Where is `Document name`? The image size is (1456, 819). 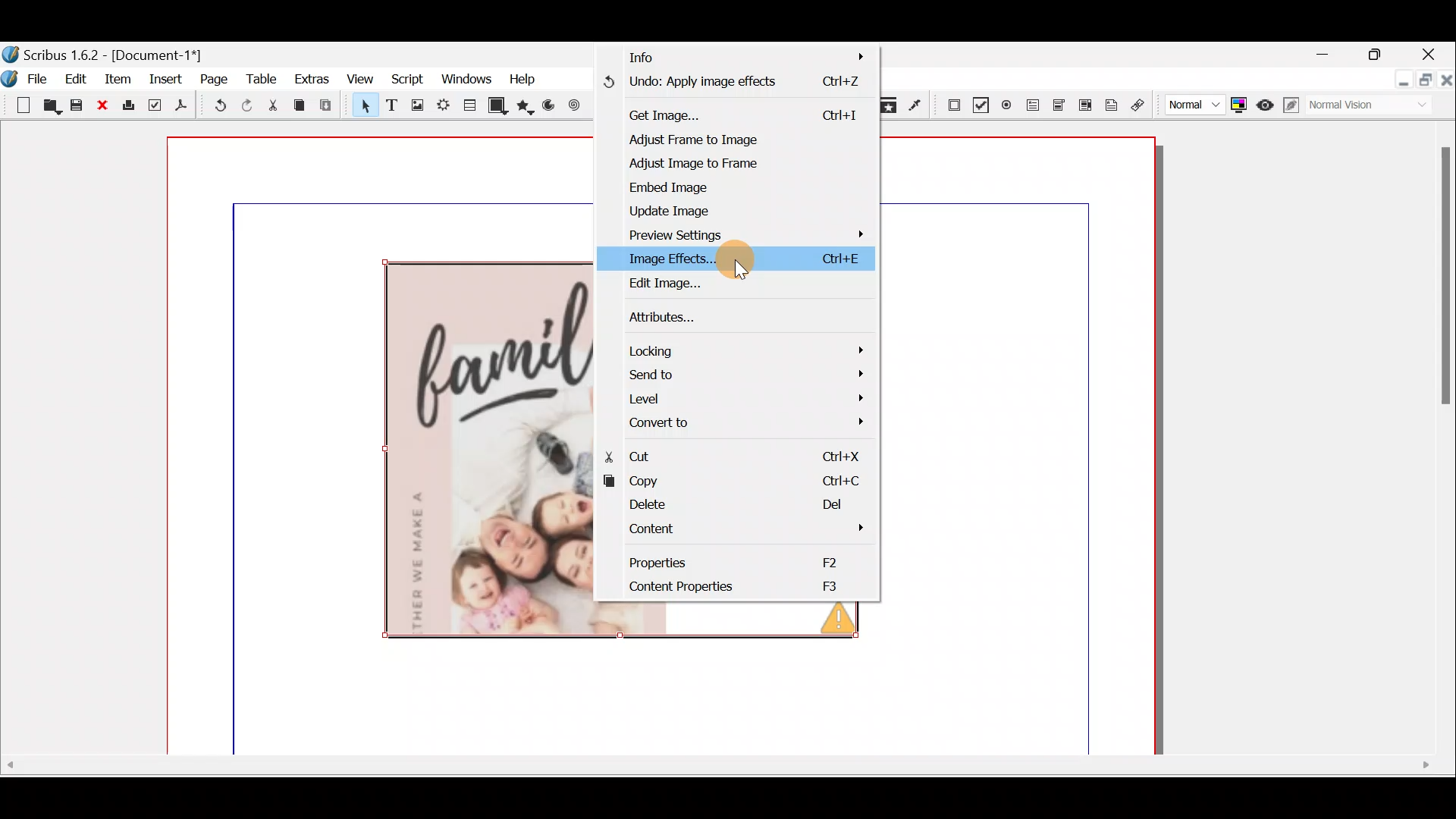
Document name is located at coordinates (110, 50).